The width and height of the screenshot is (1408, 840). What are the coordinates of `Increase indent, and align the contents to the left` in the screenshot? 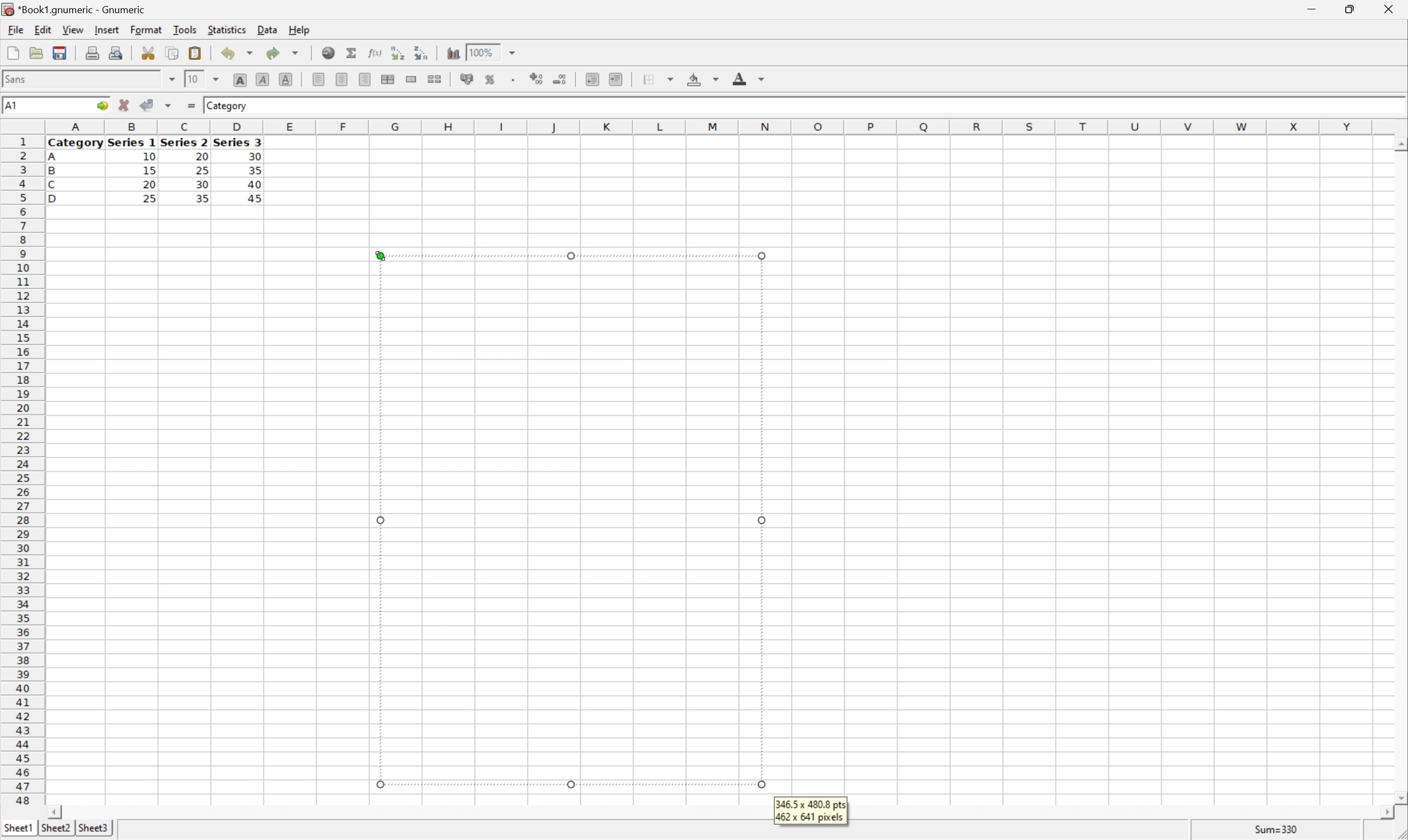 It's located at (615, 80).